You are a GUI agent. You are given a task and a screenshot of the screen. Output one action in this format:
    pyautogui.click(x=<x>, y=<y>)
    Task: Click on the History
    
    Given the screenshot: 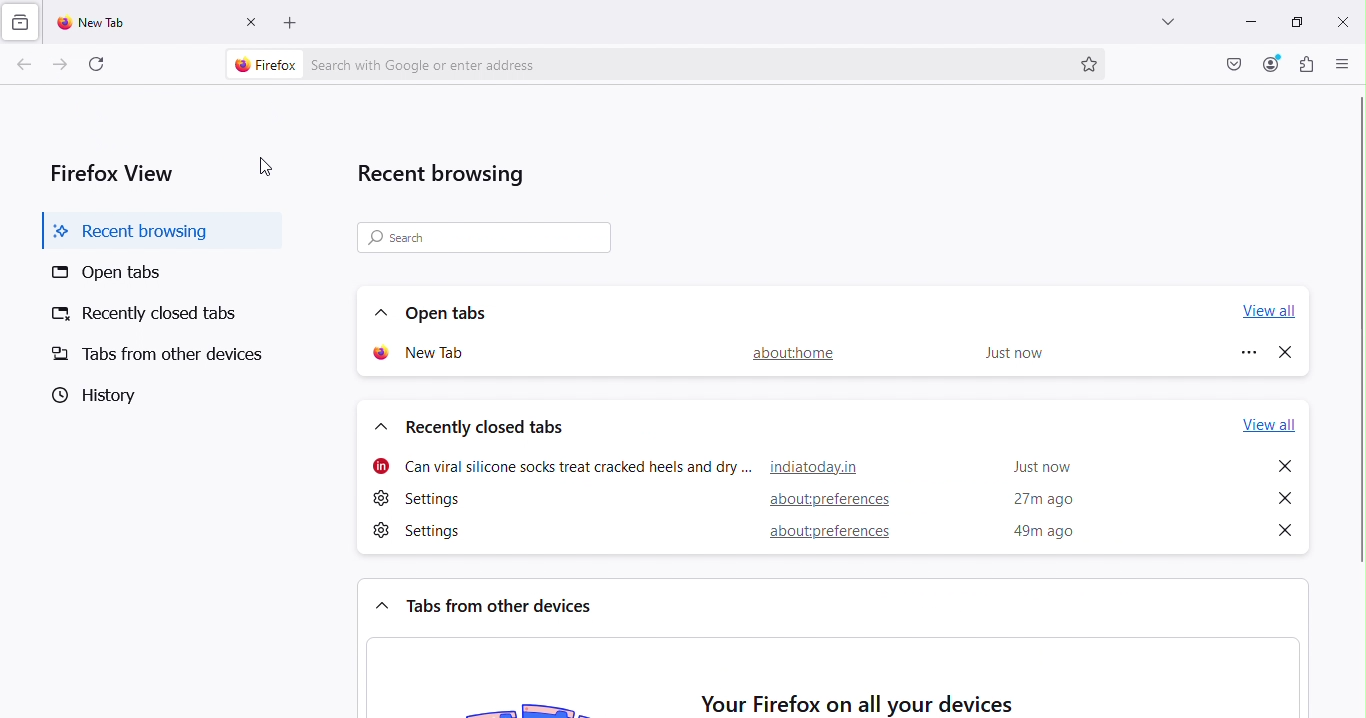 What is the action you would take?
    pyautogui.click(x=101, y=396)
    